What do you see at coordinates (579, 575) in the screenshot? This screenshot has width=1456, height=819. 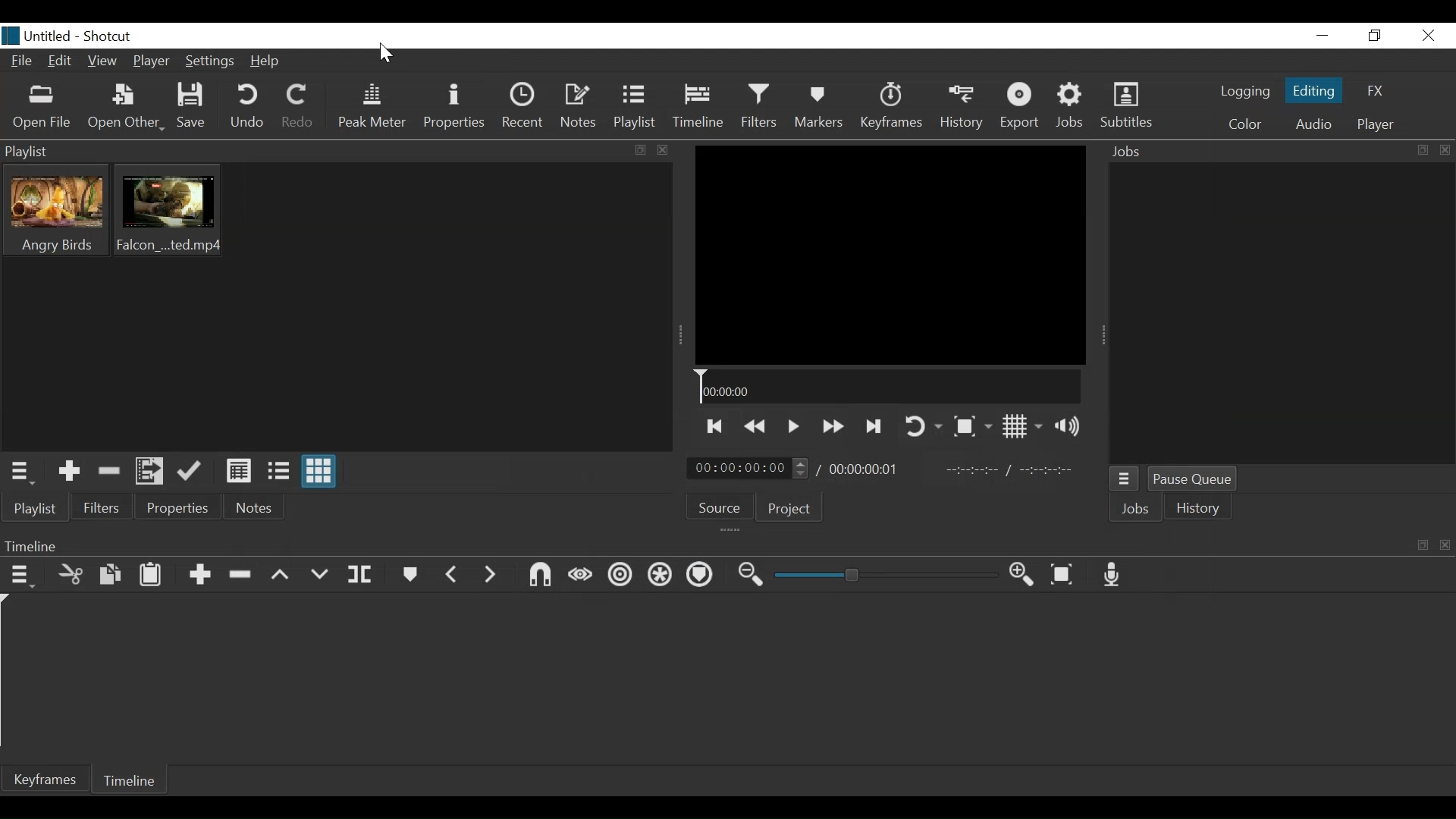 I see `Scrub wile dragging` at bounding box center [579, 575].